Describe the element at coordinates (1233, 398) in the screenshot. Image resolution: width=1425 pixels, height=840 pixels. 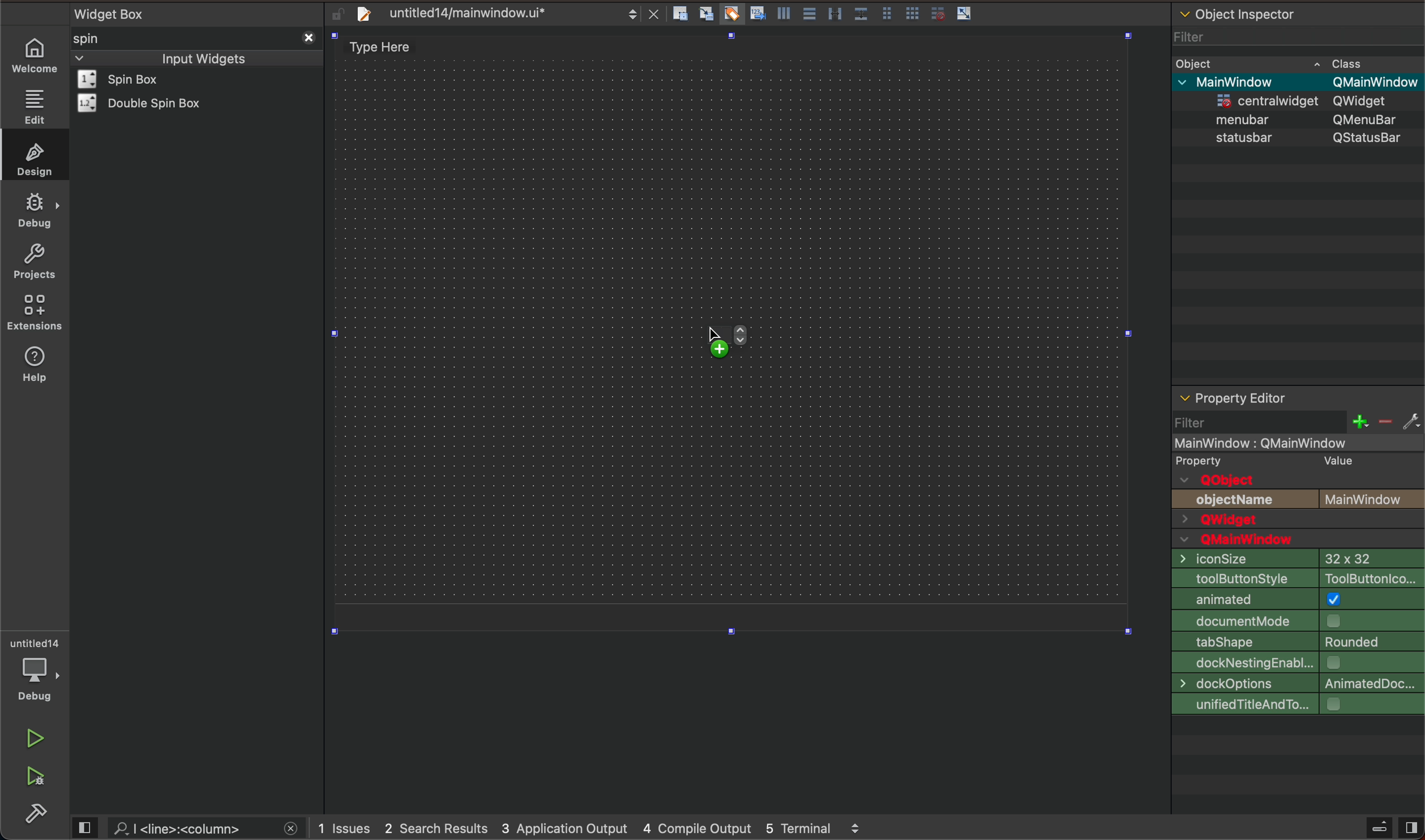
I see `editor` at that location.